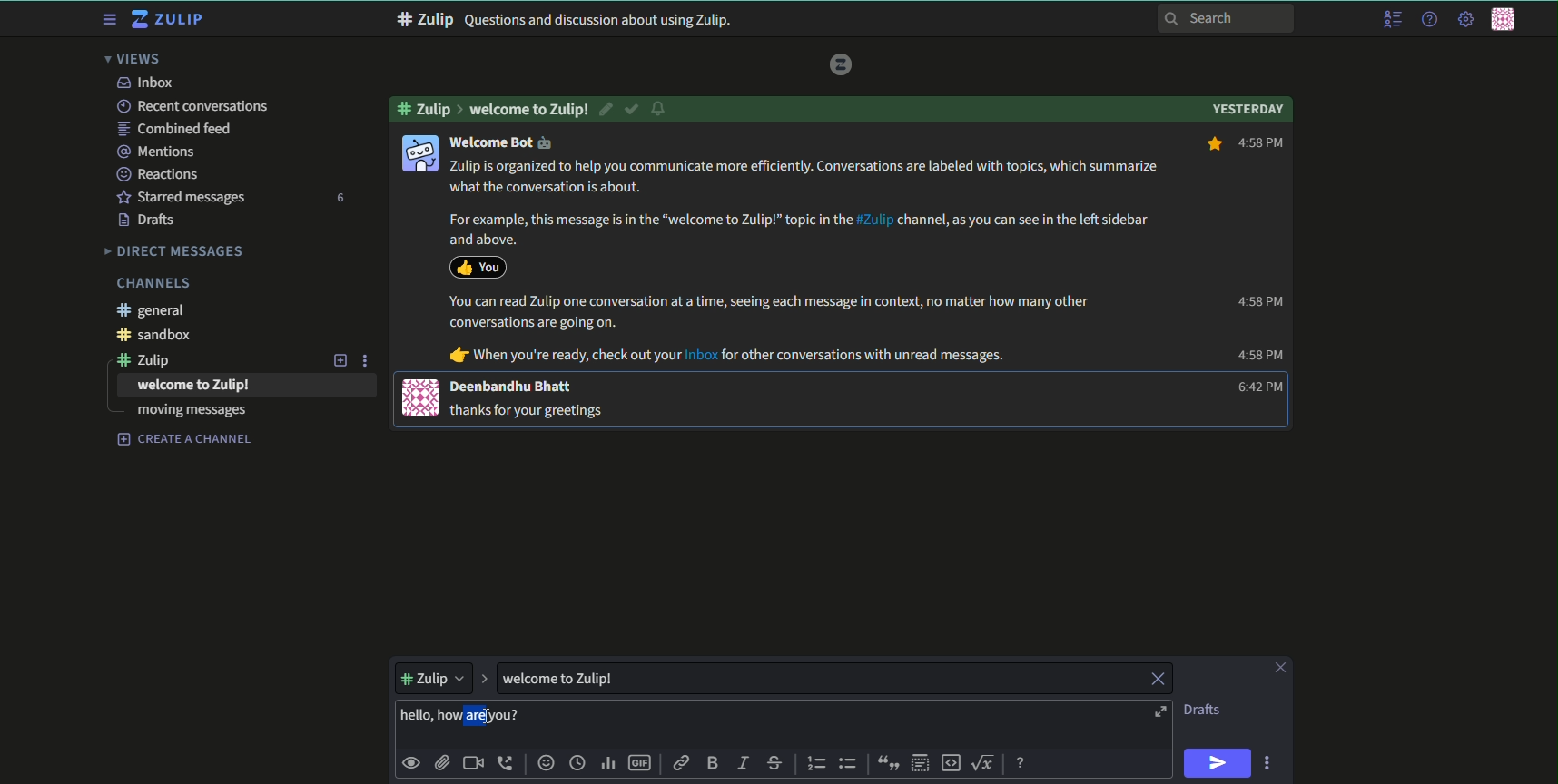 This screenshot has width=1558, height=784. What do you see at coordinates (368, 359) in the screenshot?
I see `options` at bounding box center [368, 359].